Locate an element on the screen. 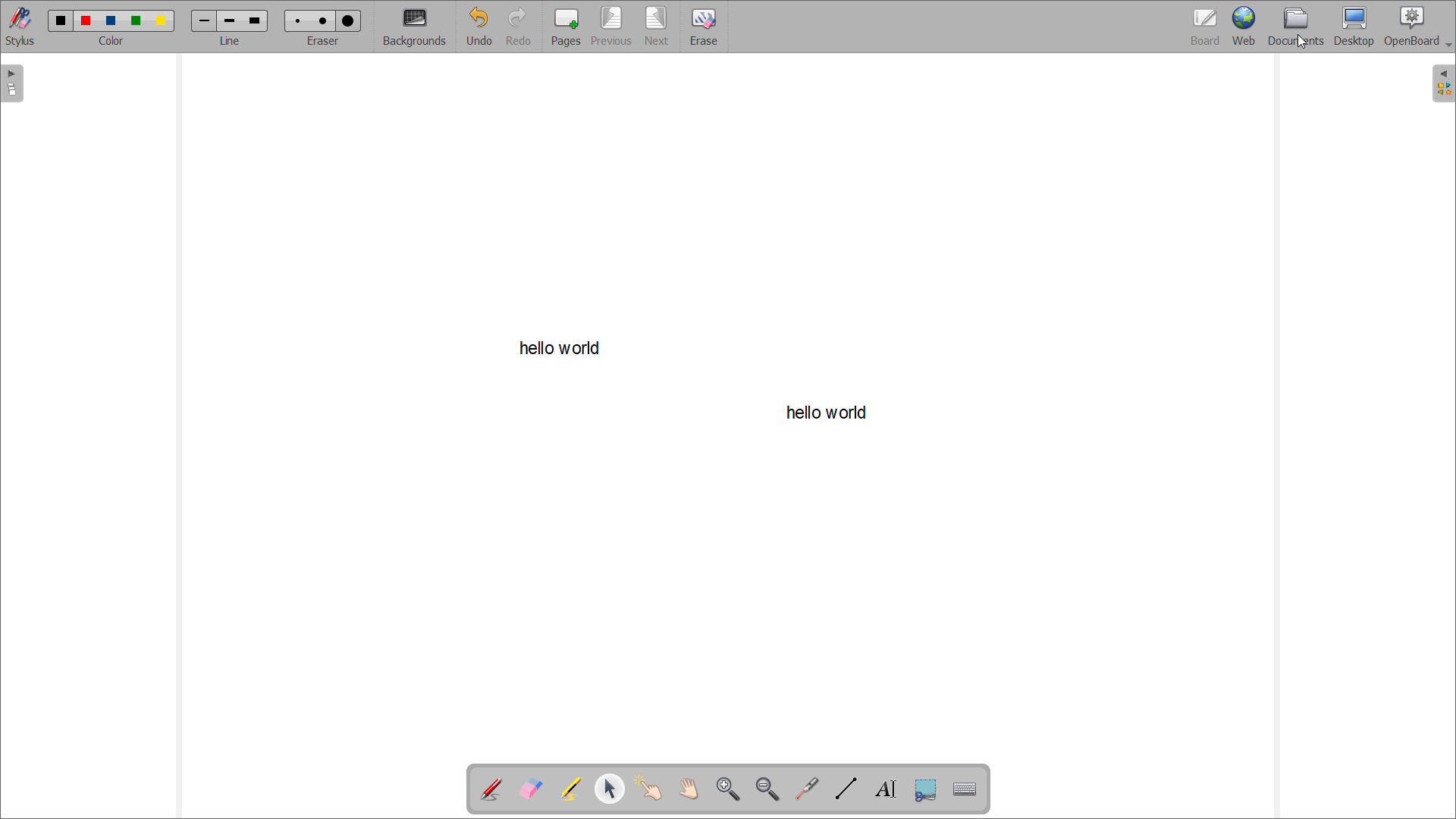 This screenshot has width=1456, height=819. web is located at coordinates (1244, 27).